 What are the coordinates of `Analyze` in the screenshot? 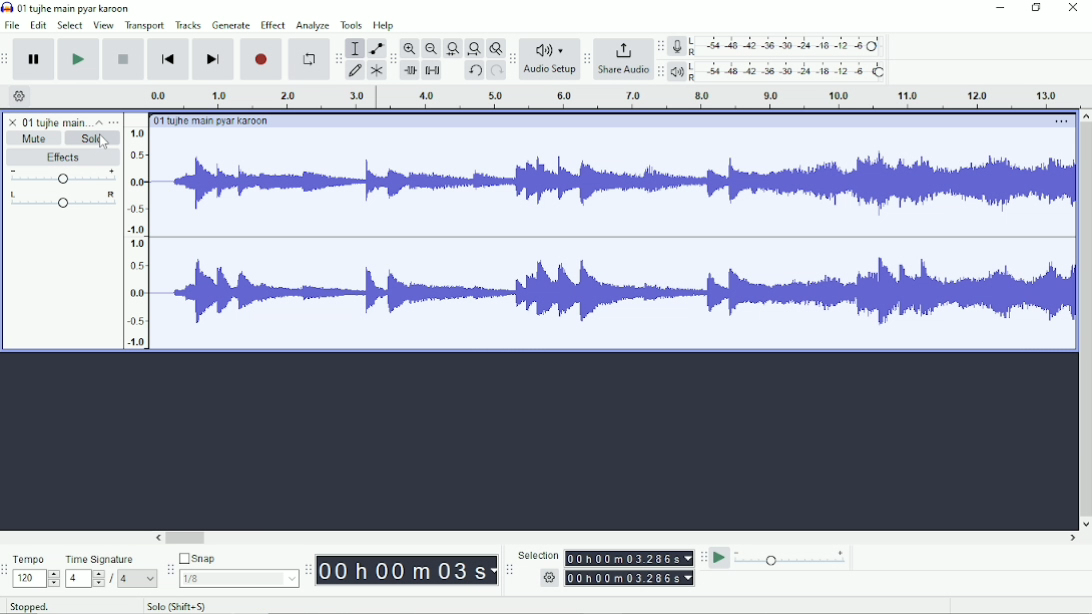 It's located at (312, 25).